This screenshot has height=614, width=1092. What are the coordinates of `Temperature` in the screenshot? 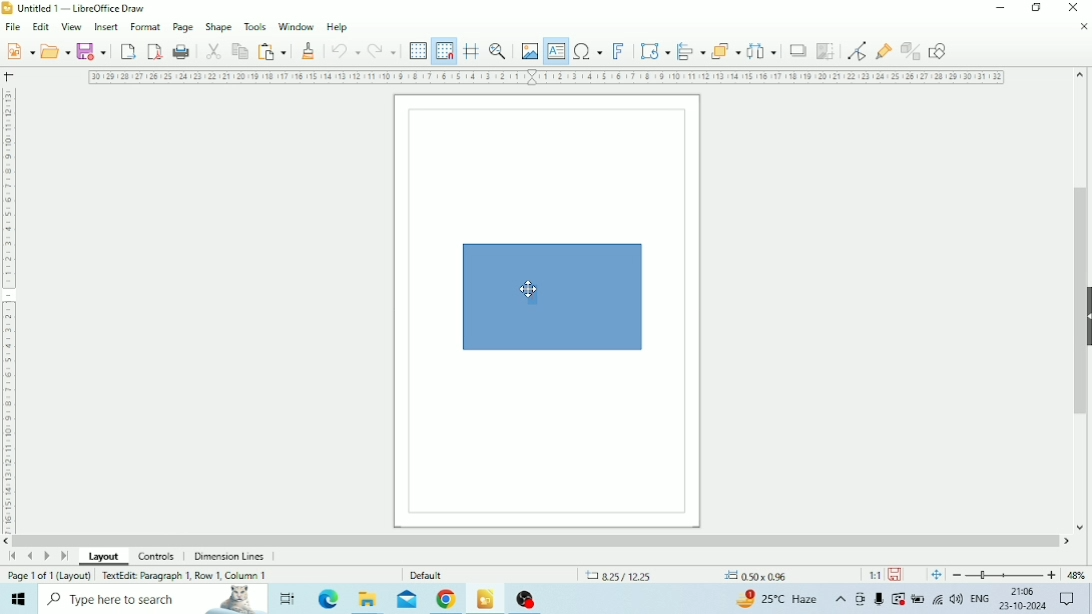 It's located at (779, 598).